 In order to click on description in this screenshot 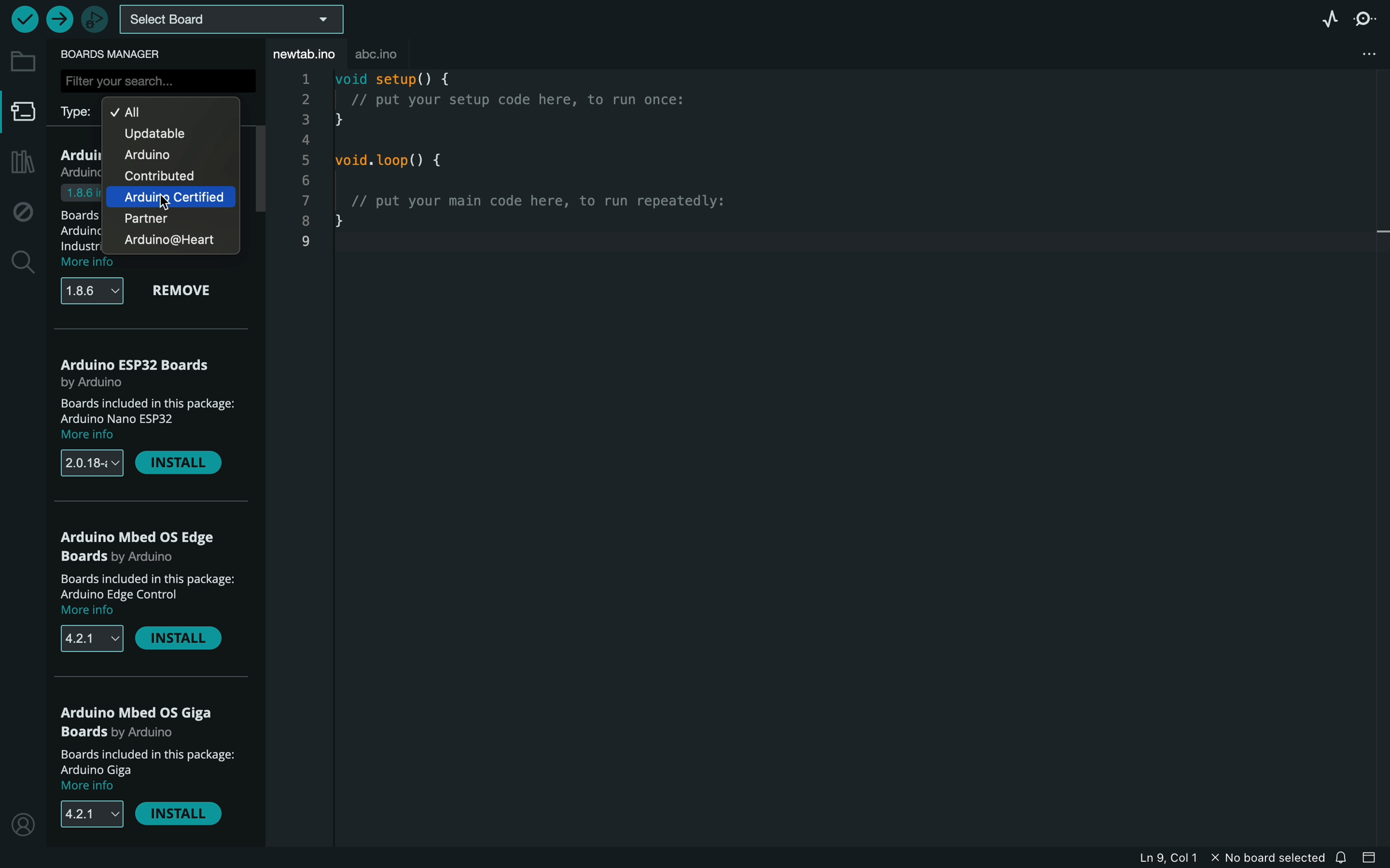, I will do `click(156, 418)`.